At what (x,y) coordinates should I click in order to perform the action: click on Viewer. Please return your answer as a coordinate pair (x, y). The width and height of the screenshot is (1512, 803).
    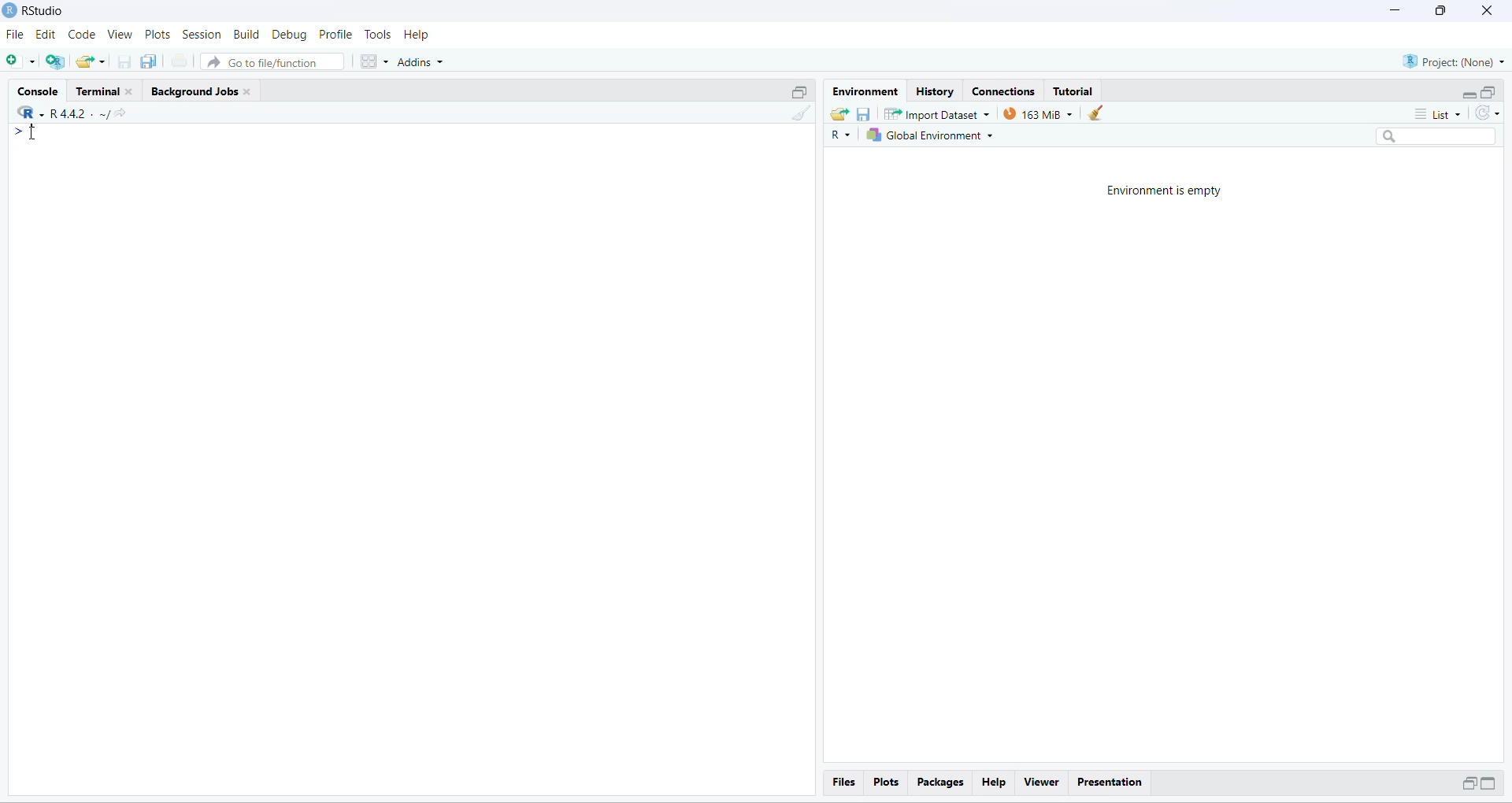
    Looking at the image, I should click on (1042, 783).